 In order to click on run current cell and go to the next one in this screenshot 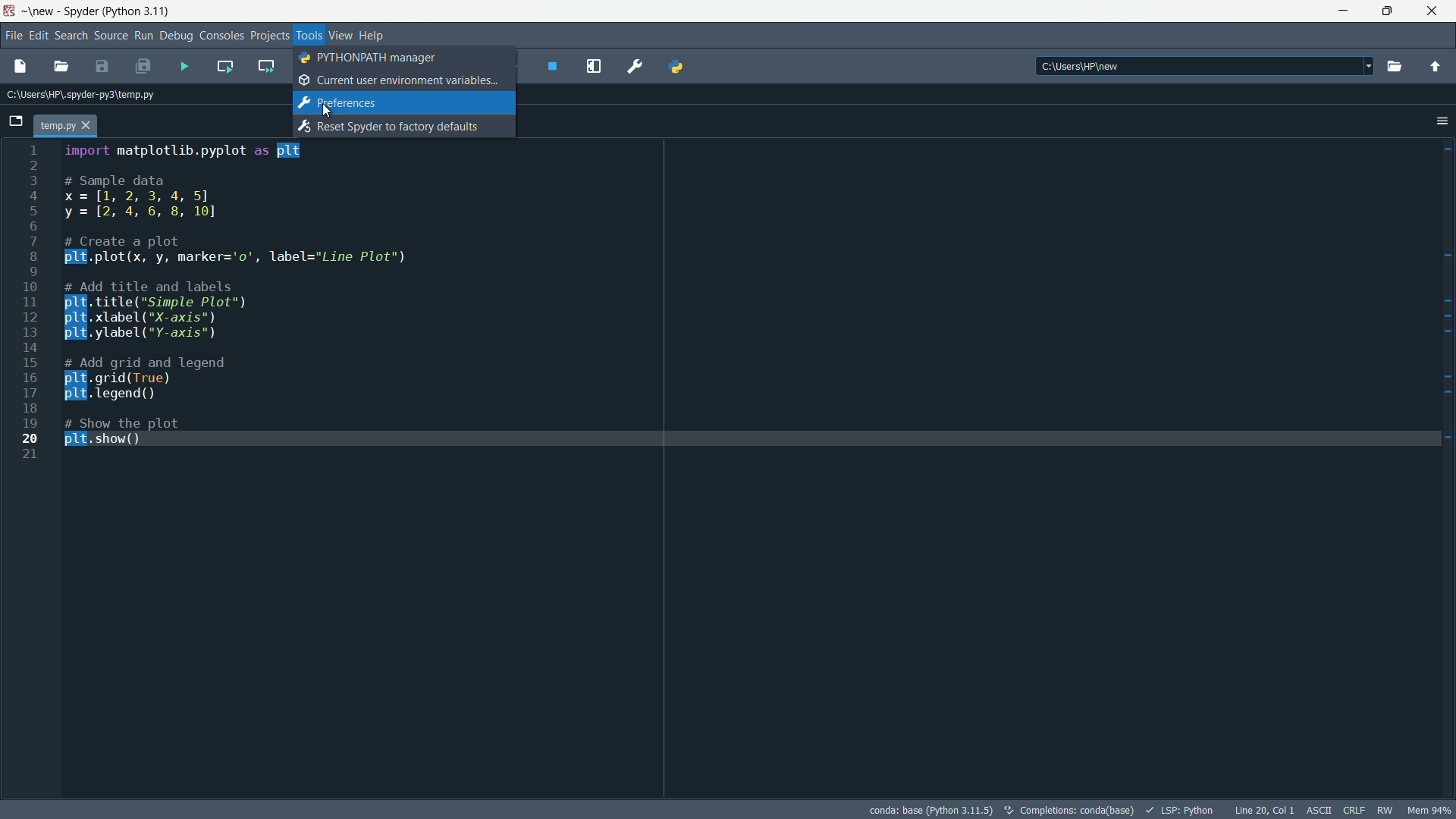, I will do `click(267, 65)`.